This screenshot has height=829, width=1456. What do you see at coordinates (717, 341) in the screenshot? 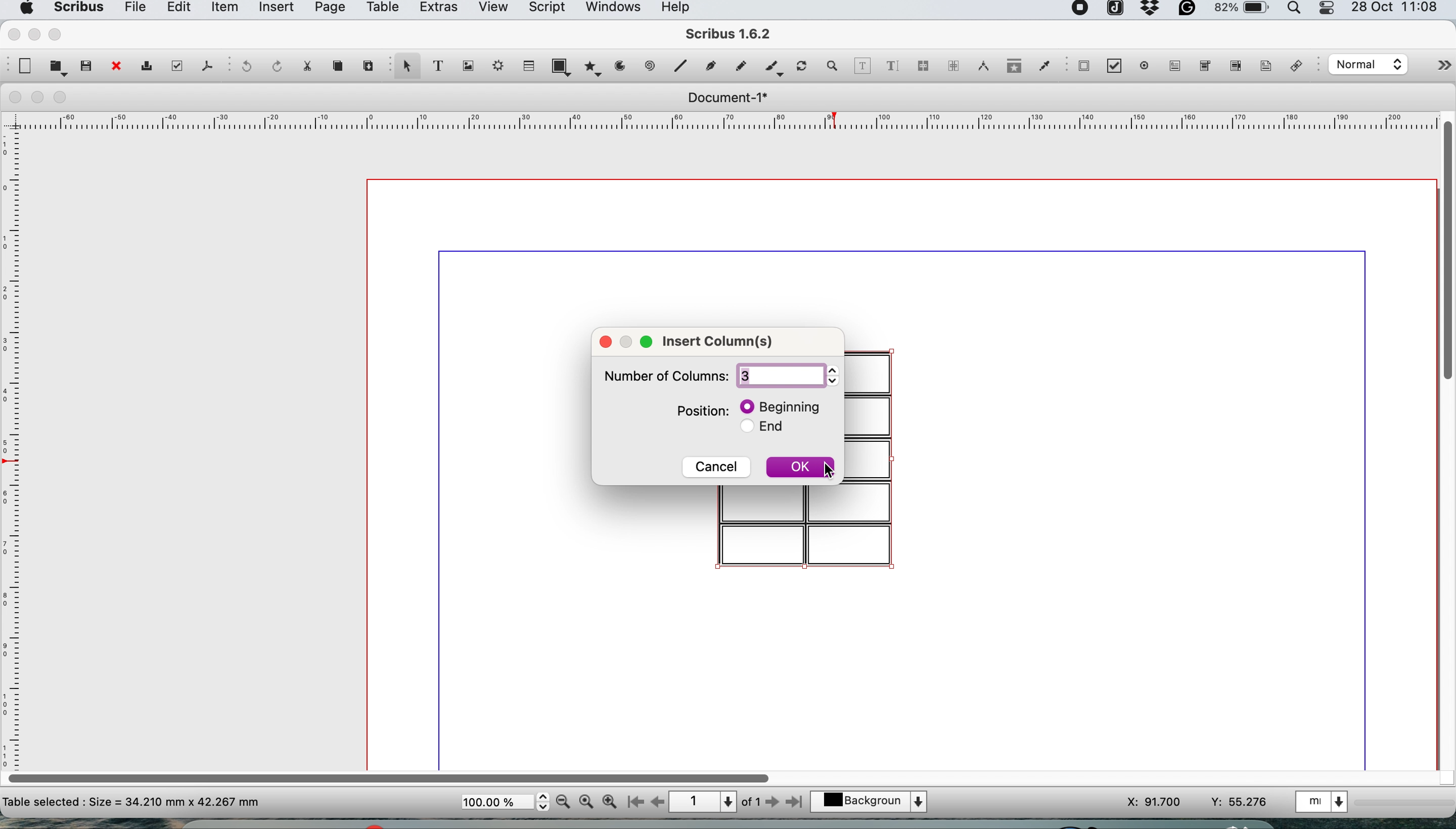
I see `insert columns` at bounding box center [717, 341].